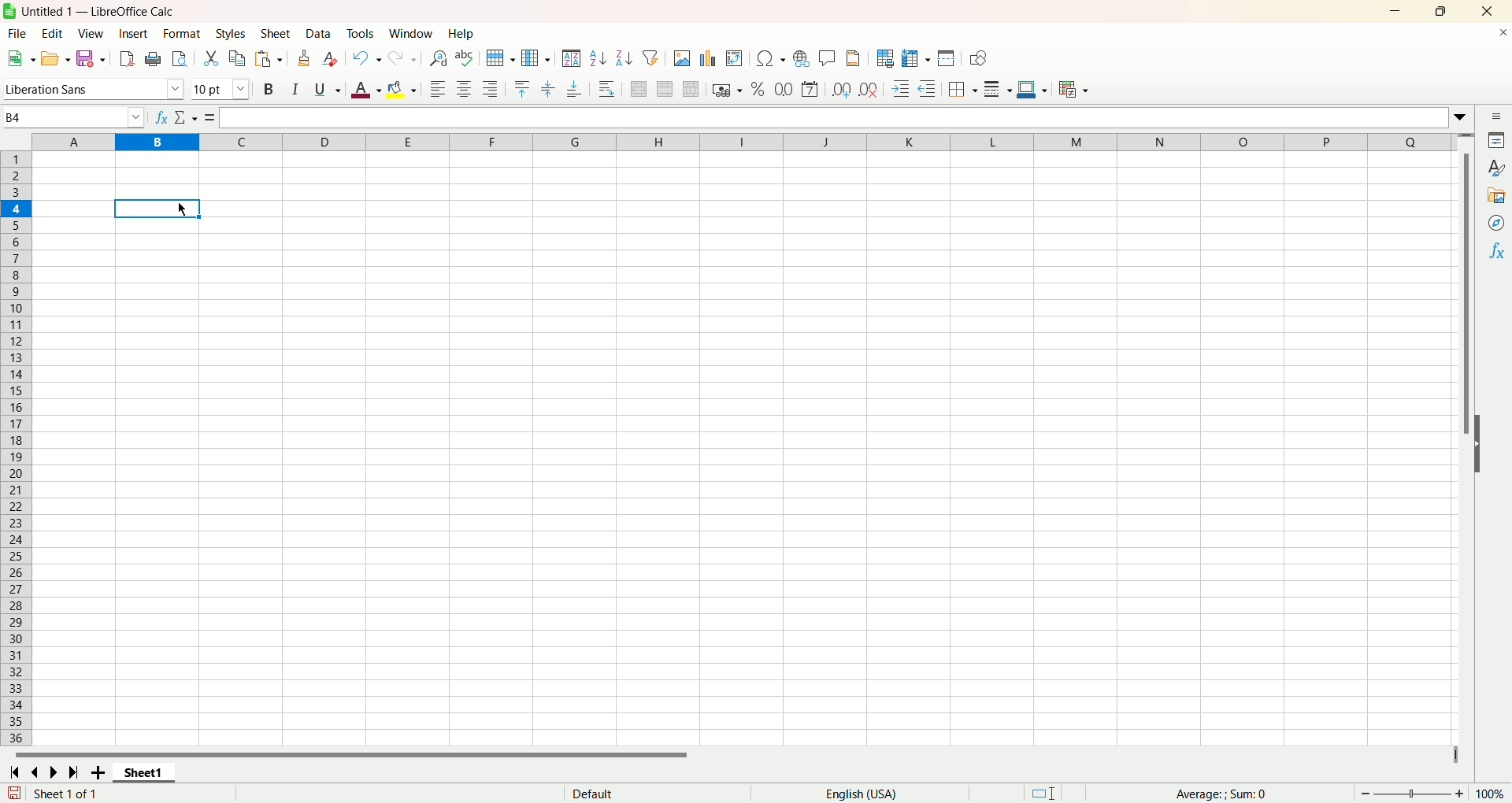  I want to click on active cell, so click(155, 210).